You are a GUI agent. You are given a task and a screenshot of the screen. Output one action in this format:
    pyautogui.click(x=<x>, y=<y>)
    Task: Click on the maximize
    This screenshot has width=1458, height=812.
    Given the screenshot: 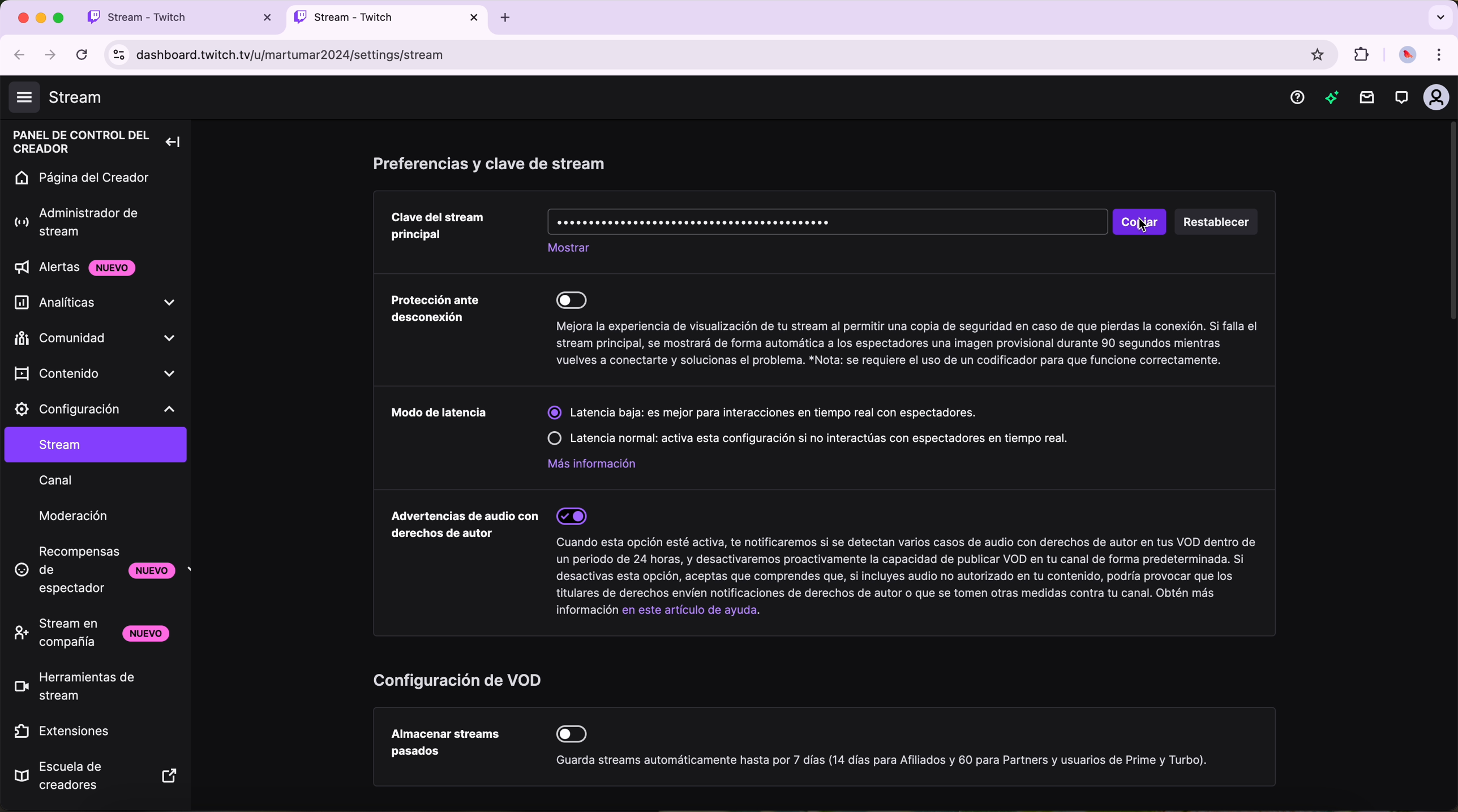 What is the action you would take?
    pyautogui.click(x=63, y=19)
    